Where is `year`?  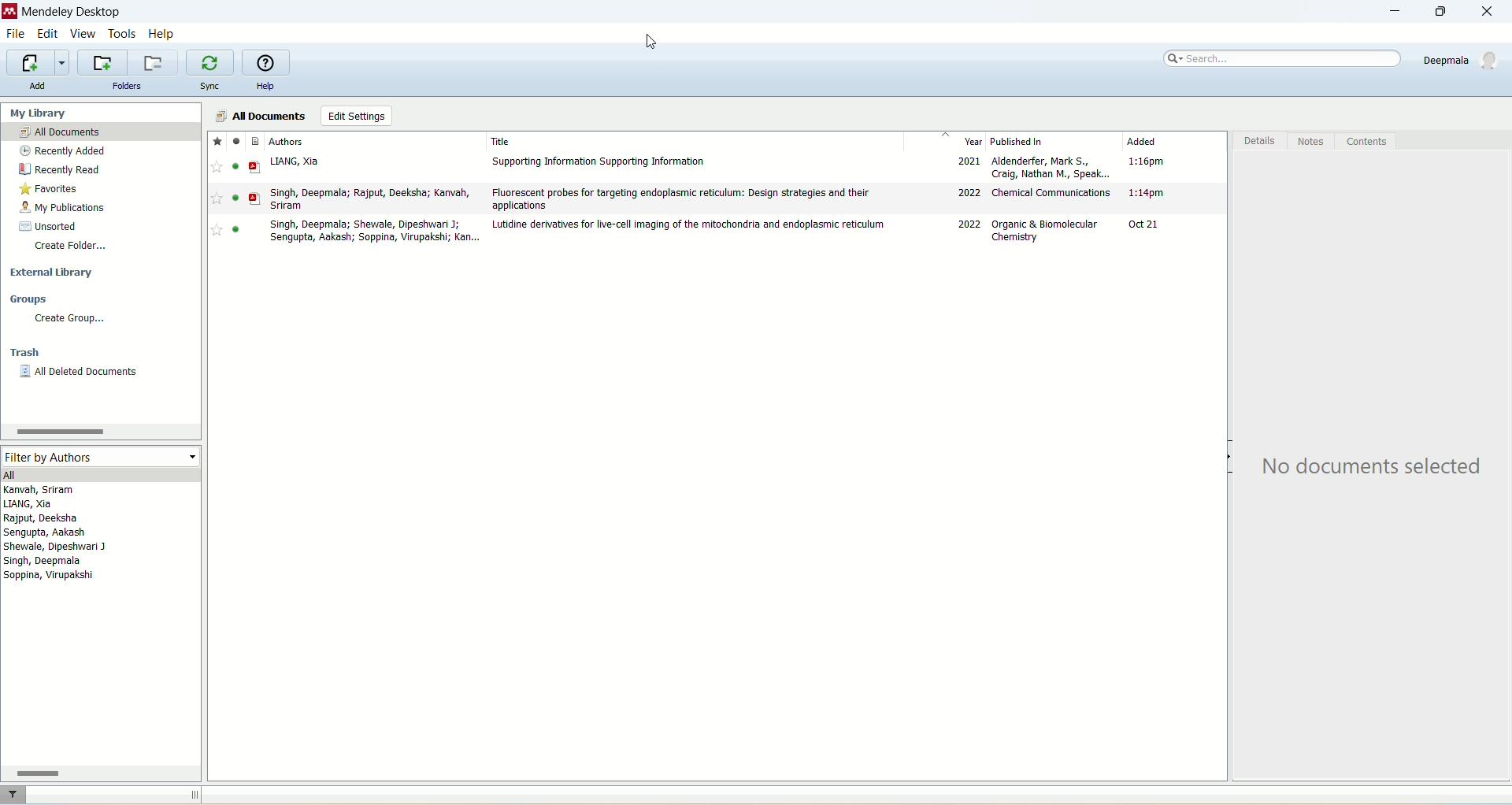 year is located at coordinates (943, 143).